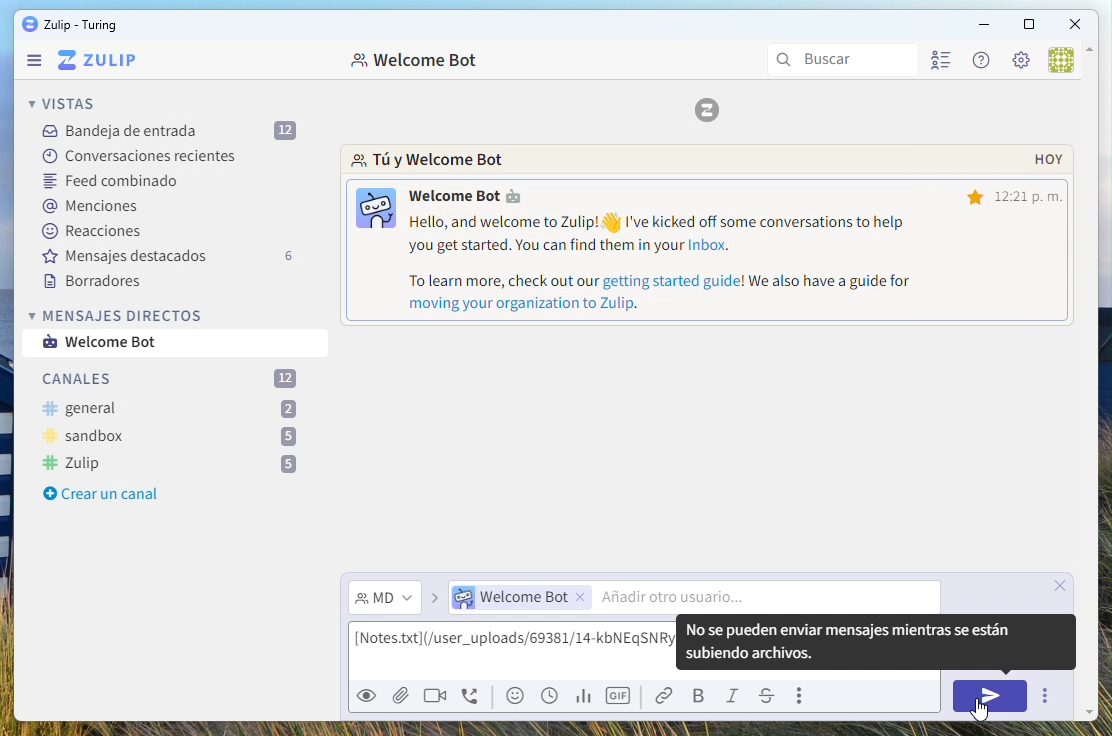 The width and height of the screenshot is (1112, 736). Describe the element at coordinates (977, 712) in the screenshot. I see `cursor` at that location.